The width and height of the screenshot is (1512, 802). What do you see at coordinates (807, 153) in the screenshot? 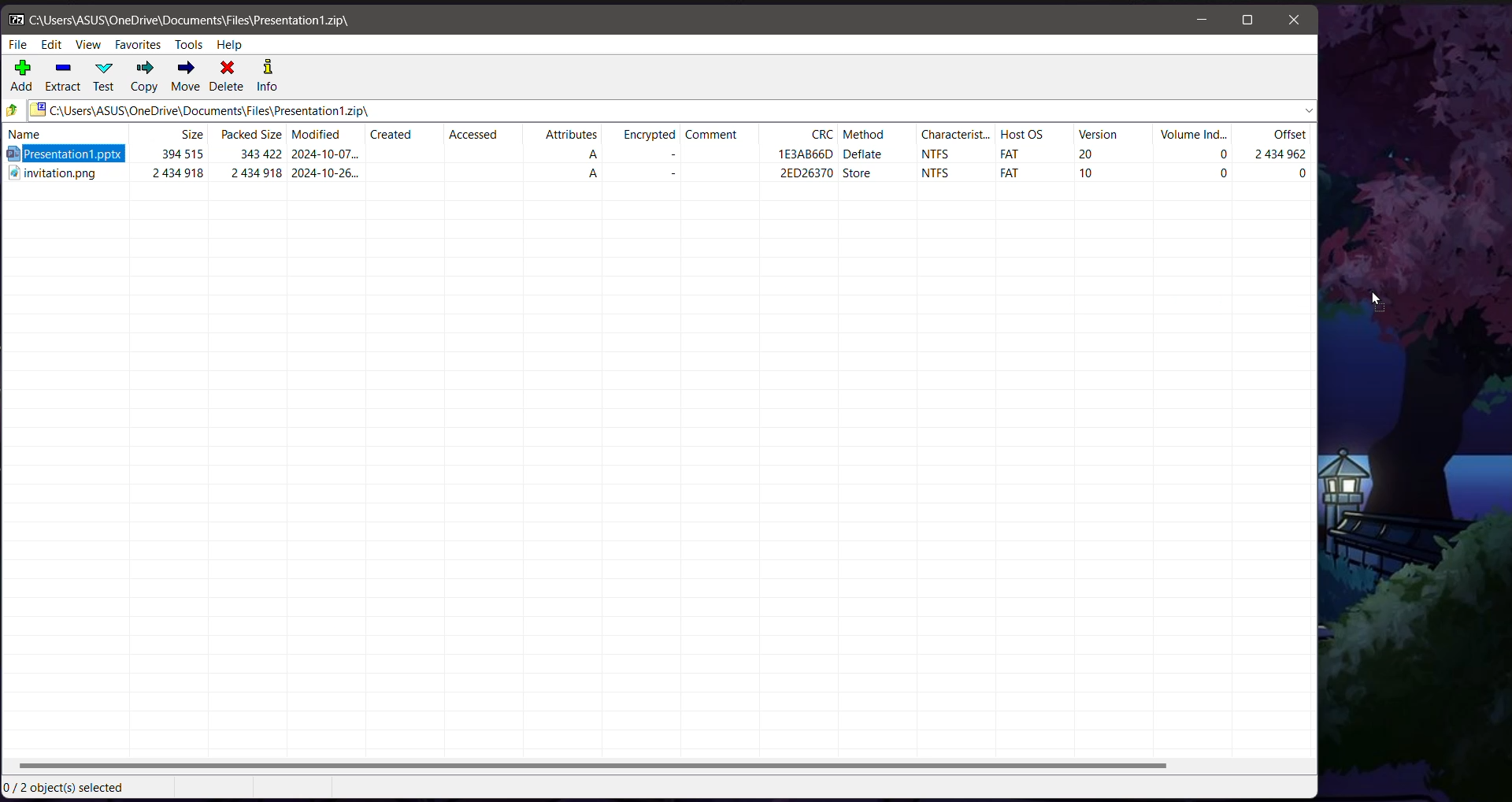
I see `1E3AB66d` at bounding box center [807, 153].